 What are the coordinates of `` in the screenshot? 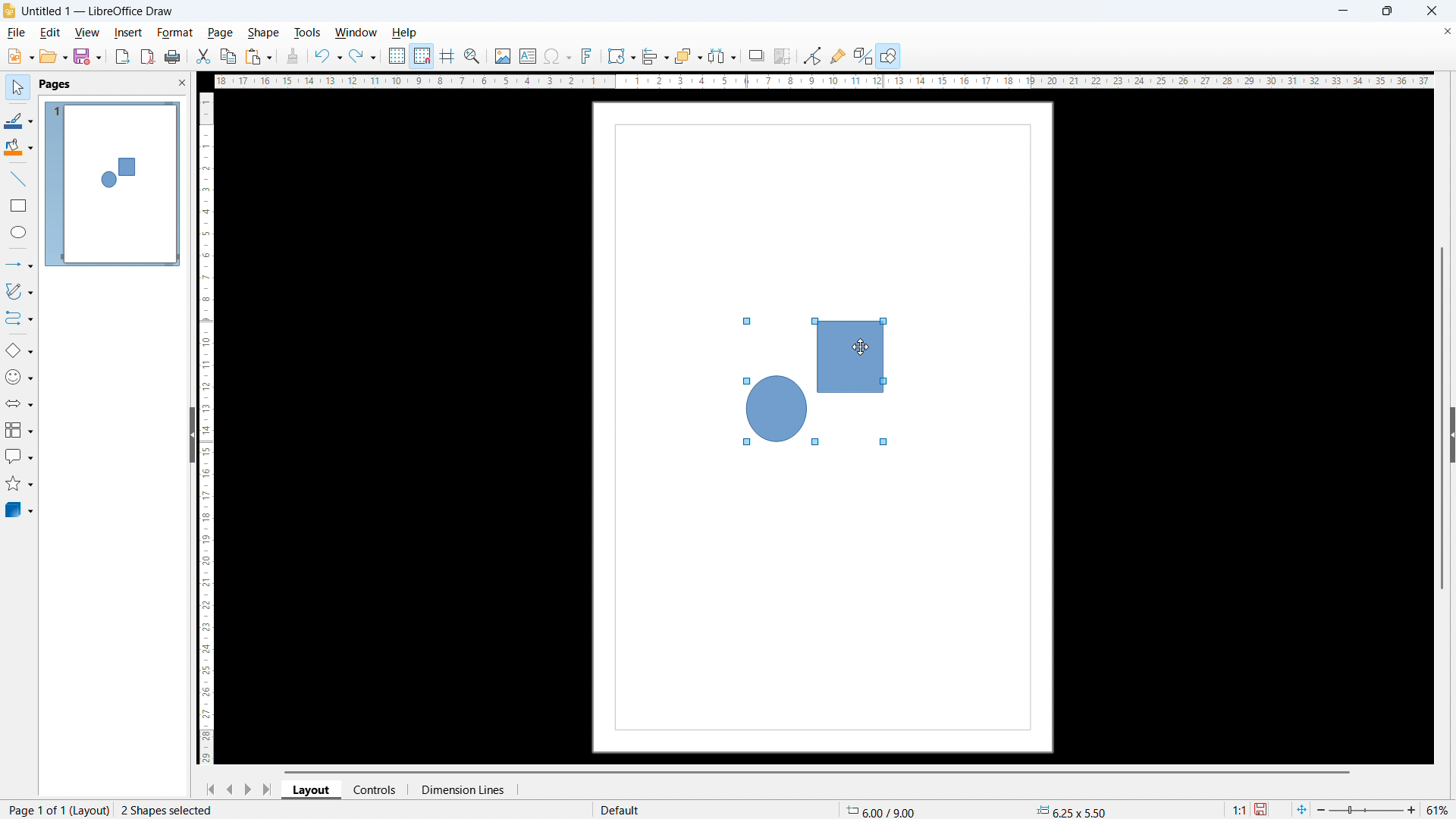 It's located at (814, 57).